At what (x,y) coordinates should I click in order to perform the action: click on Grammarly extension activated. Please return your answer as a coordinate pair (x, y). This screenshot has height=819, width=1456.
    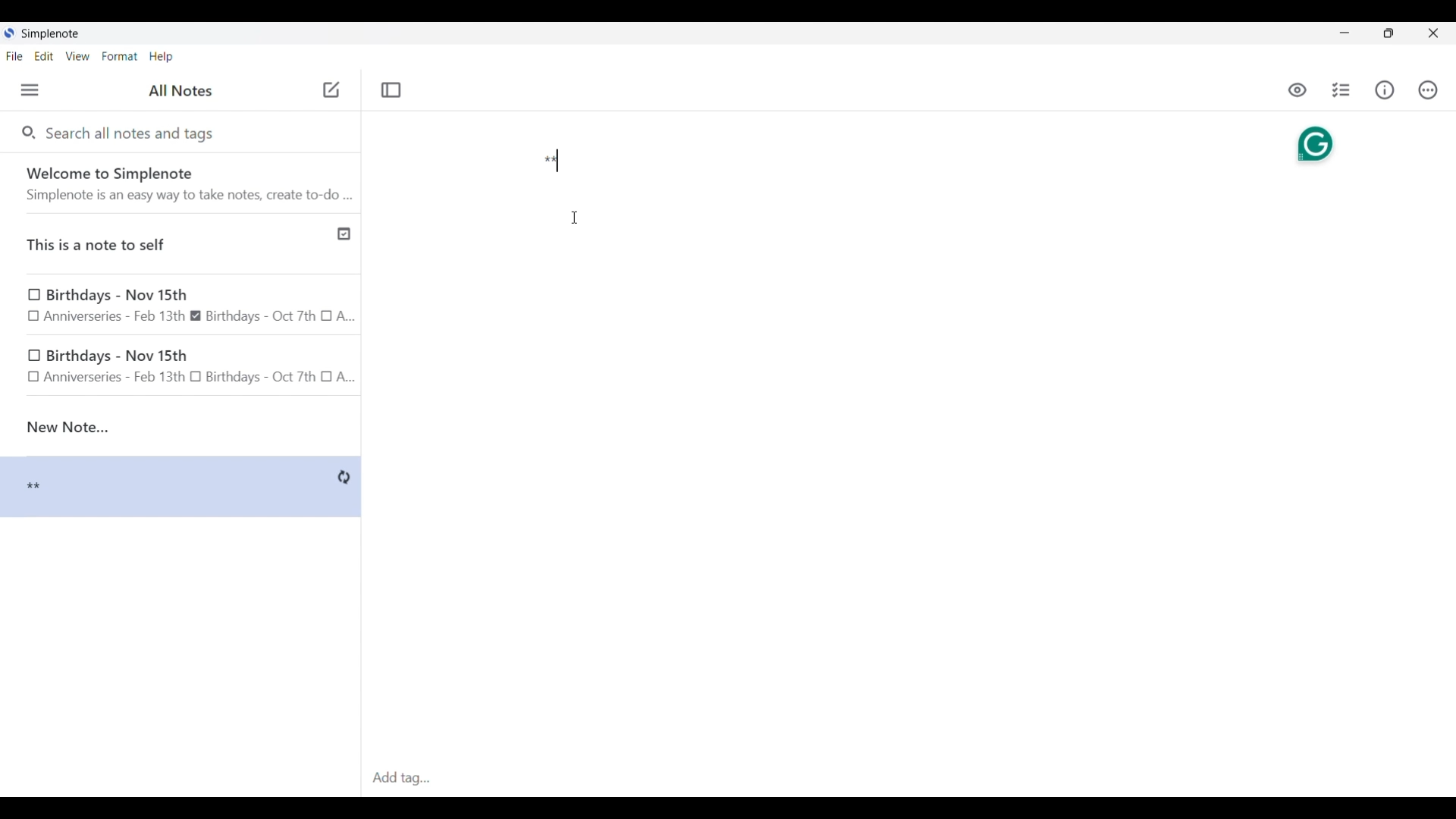
    Looking at the image, I should click on (1313, 143).